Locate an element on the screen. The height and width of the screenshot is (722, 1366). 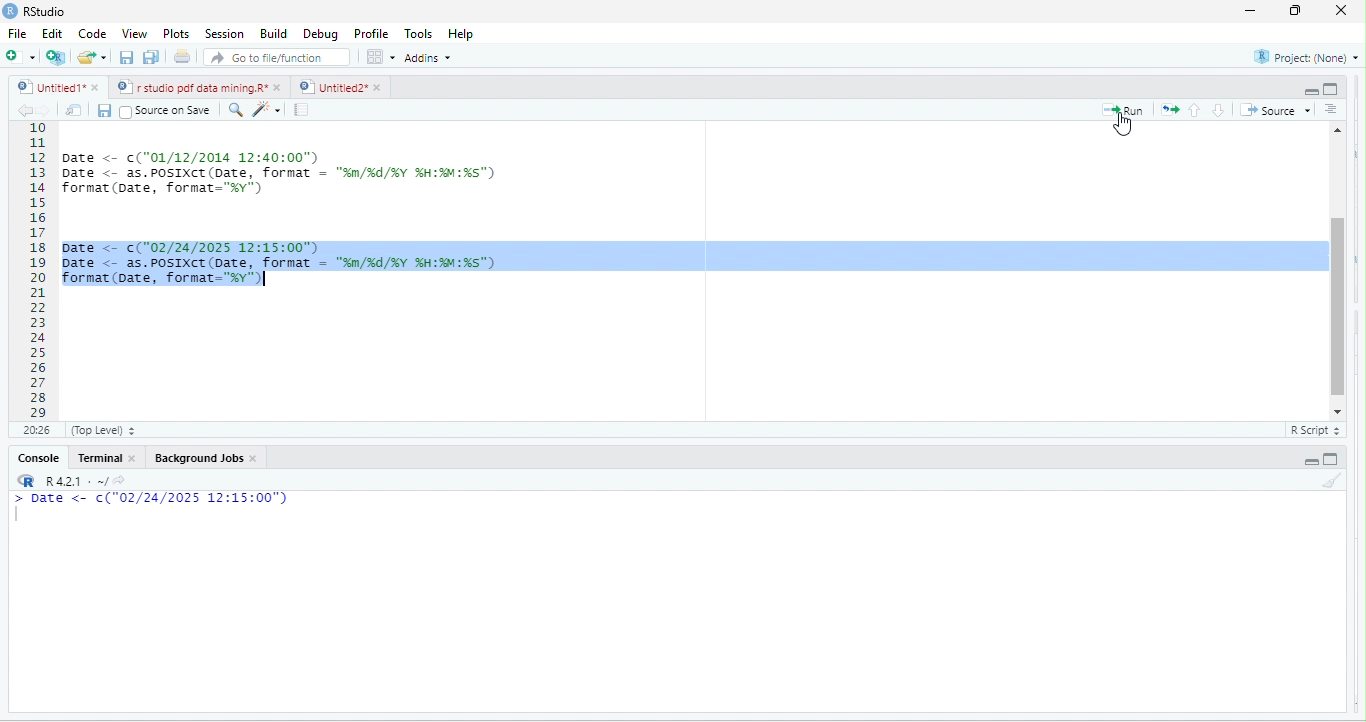
close is located at coordinates (94, 87).